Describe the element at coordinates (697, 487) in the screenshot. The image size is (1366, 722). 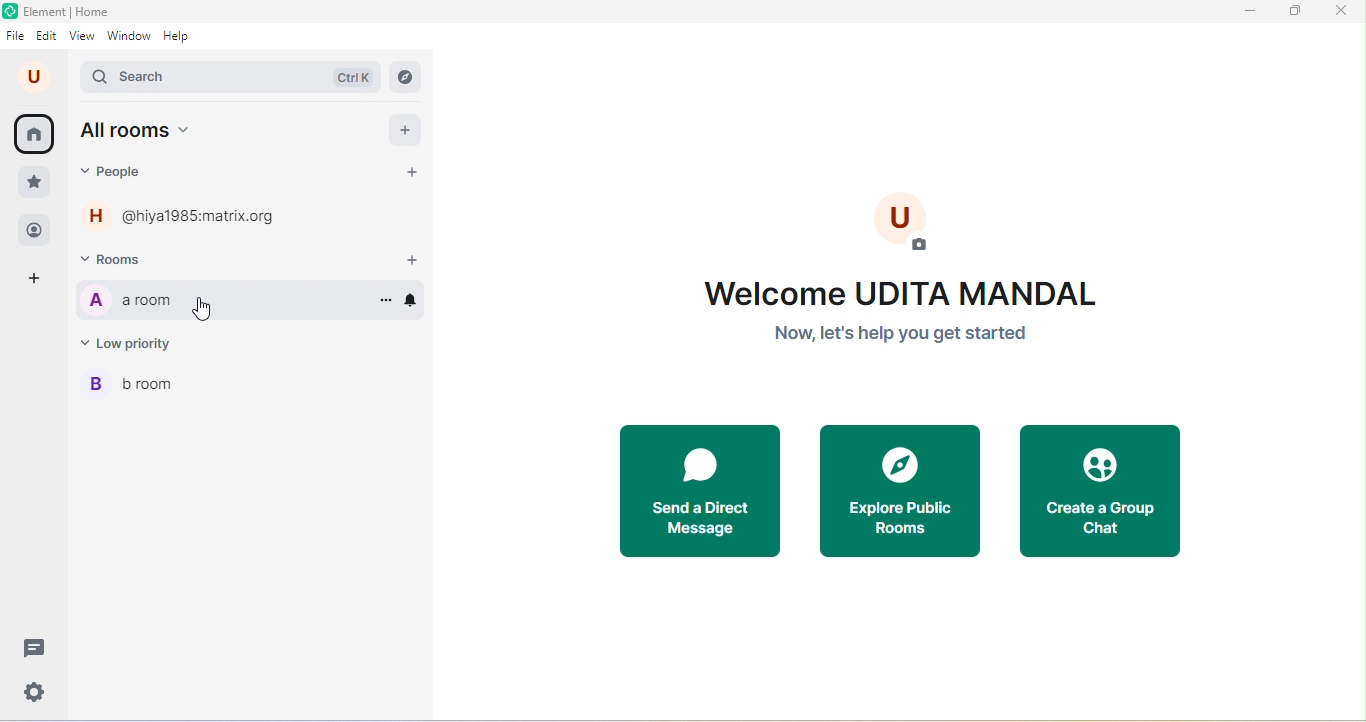
I see `send a direct message` at that location.